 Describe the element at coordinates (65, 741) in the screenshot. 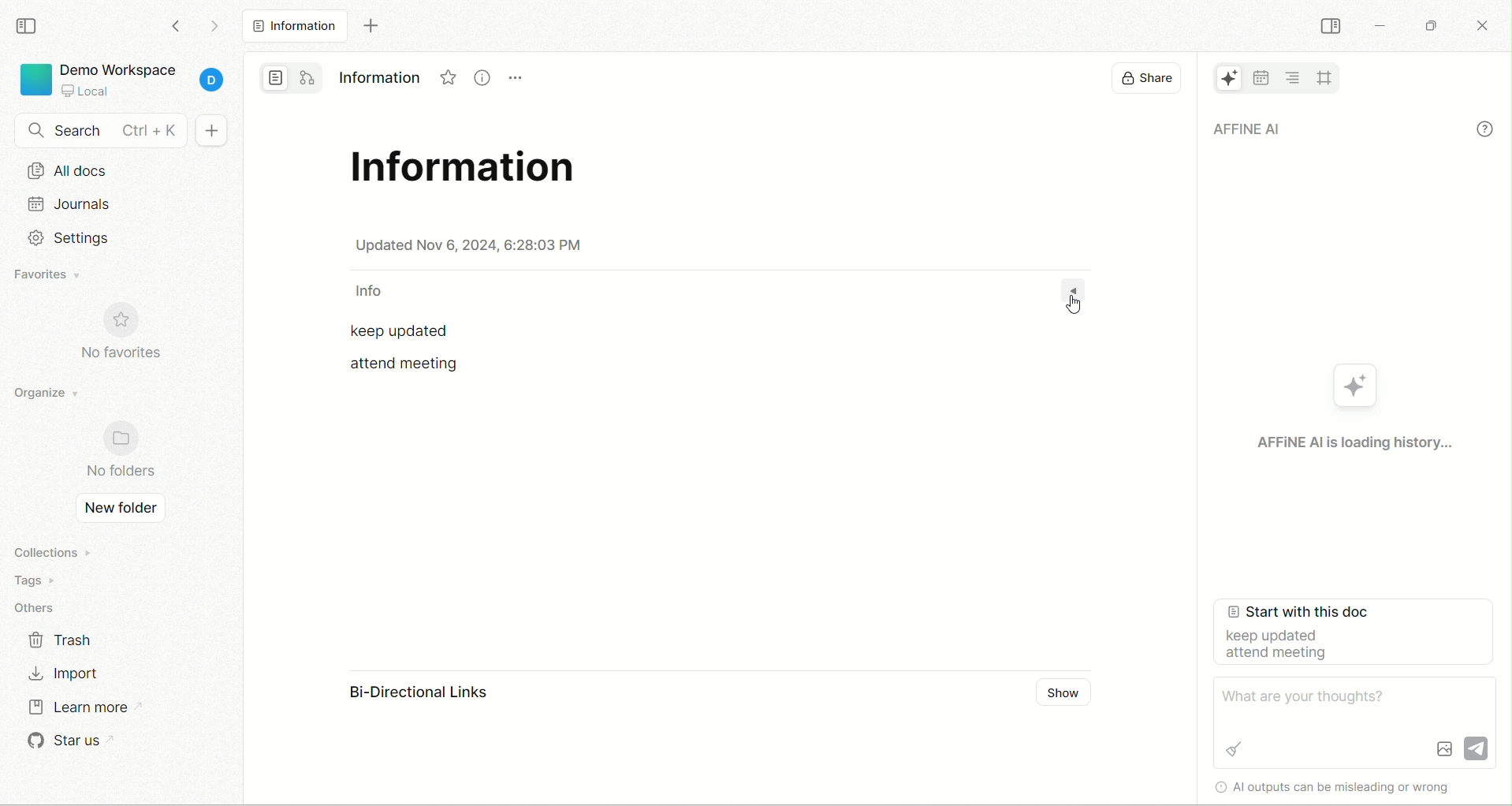

I see `star us` at that location.